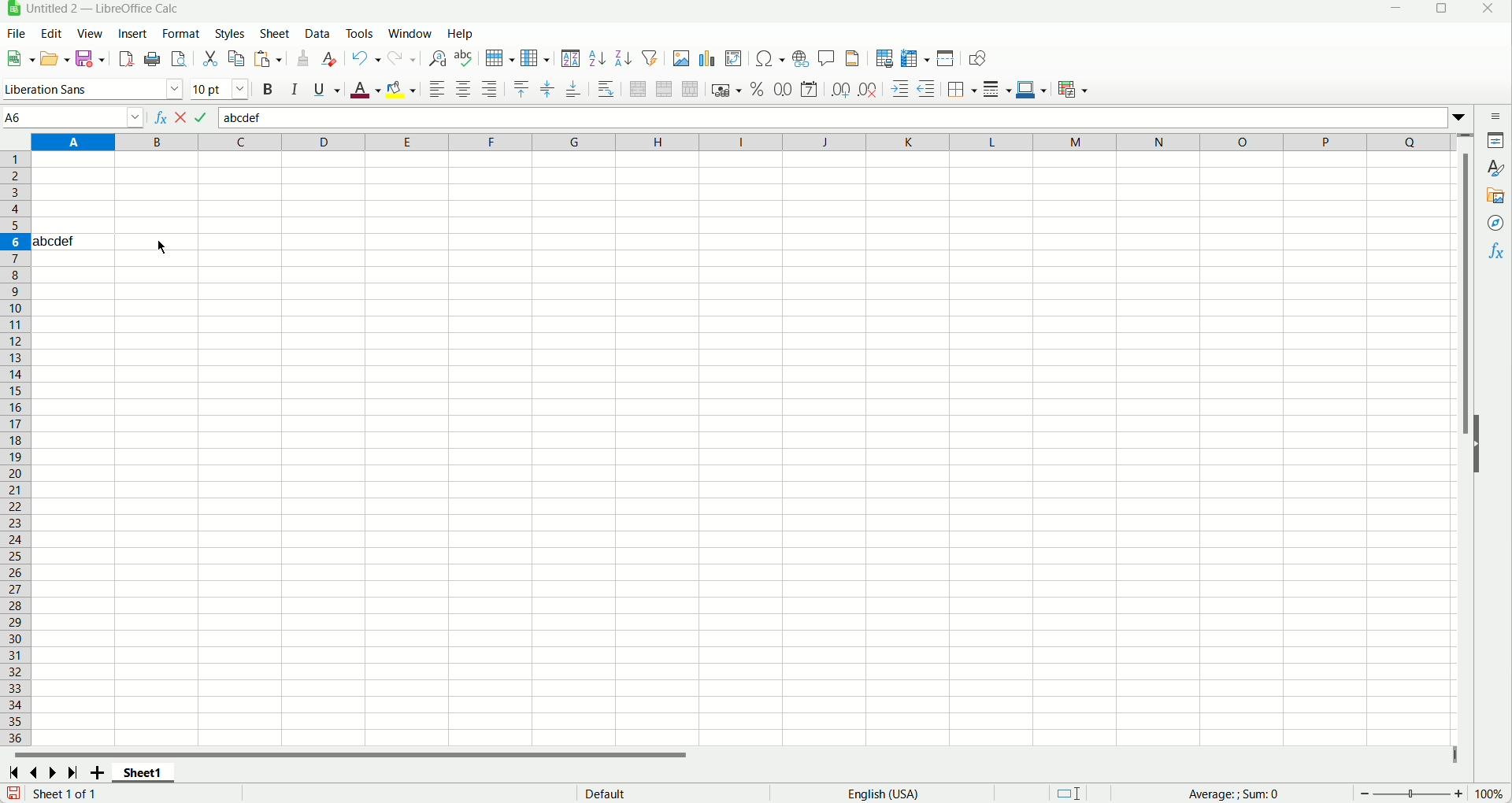  I want to click on function wizard, so click(157, 117).